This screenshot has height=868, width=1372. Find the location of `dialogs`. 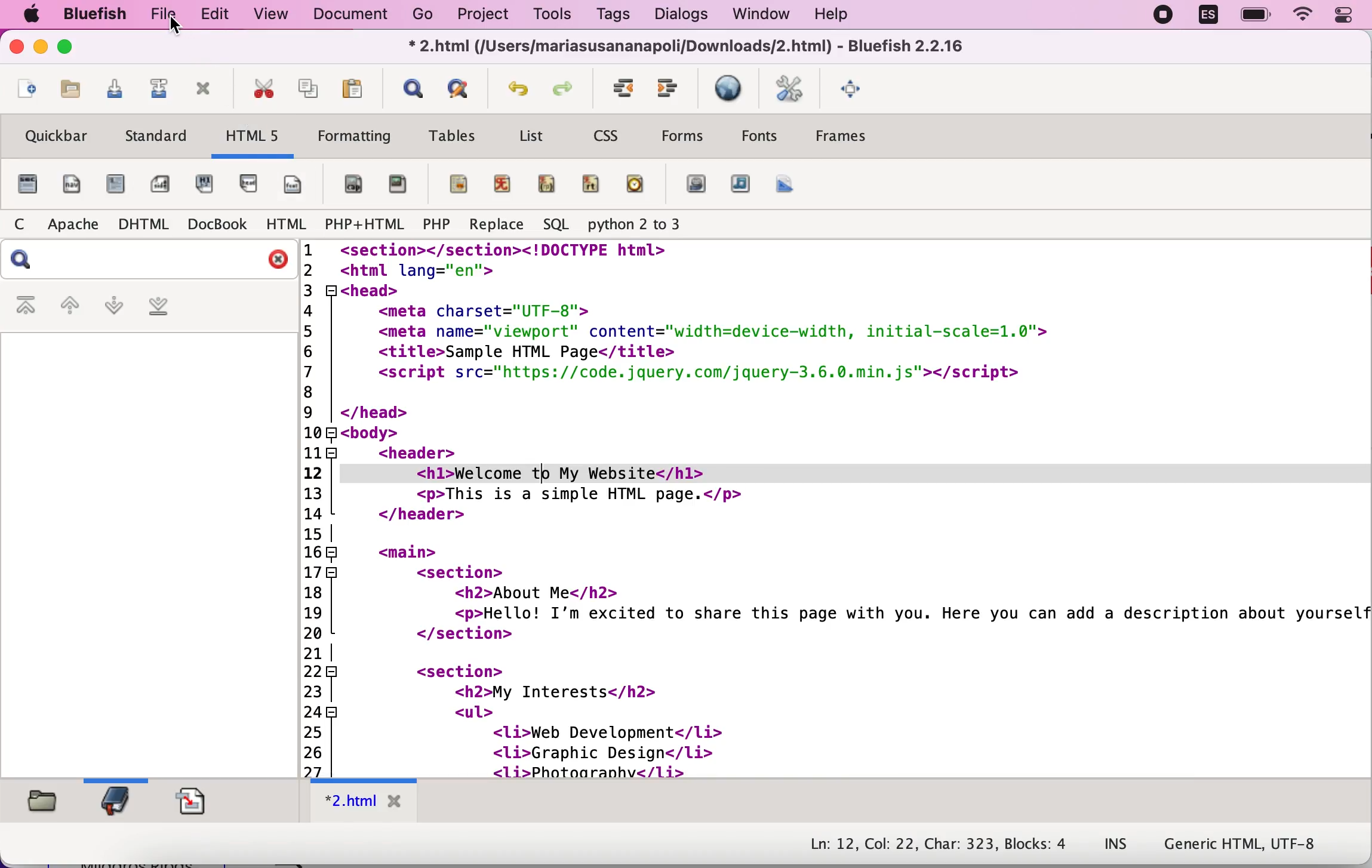

dialogs is located at coordinates (676, 16).